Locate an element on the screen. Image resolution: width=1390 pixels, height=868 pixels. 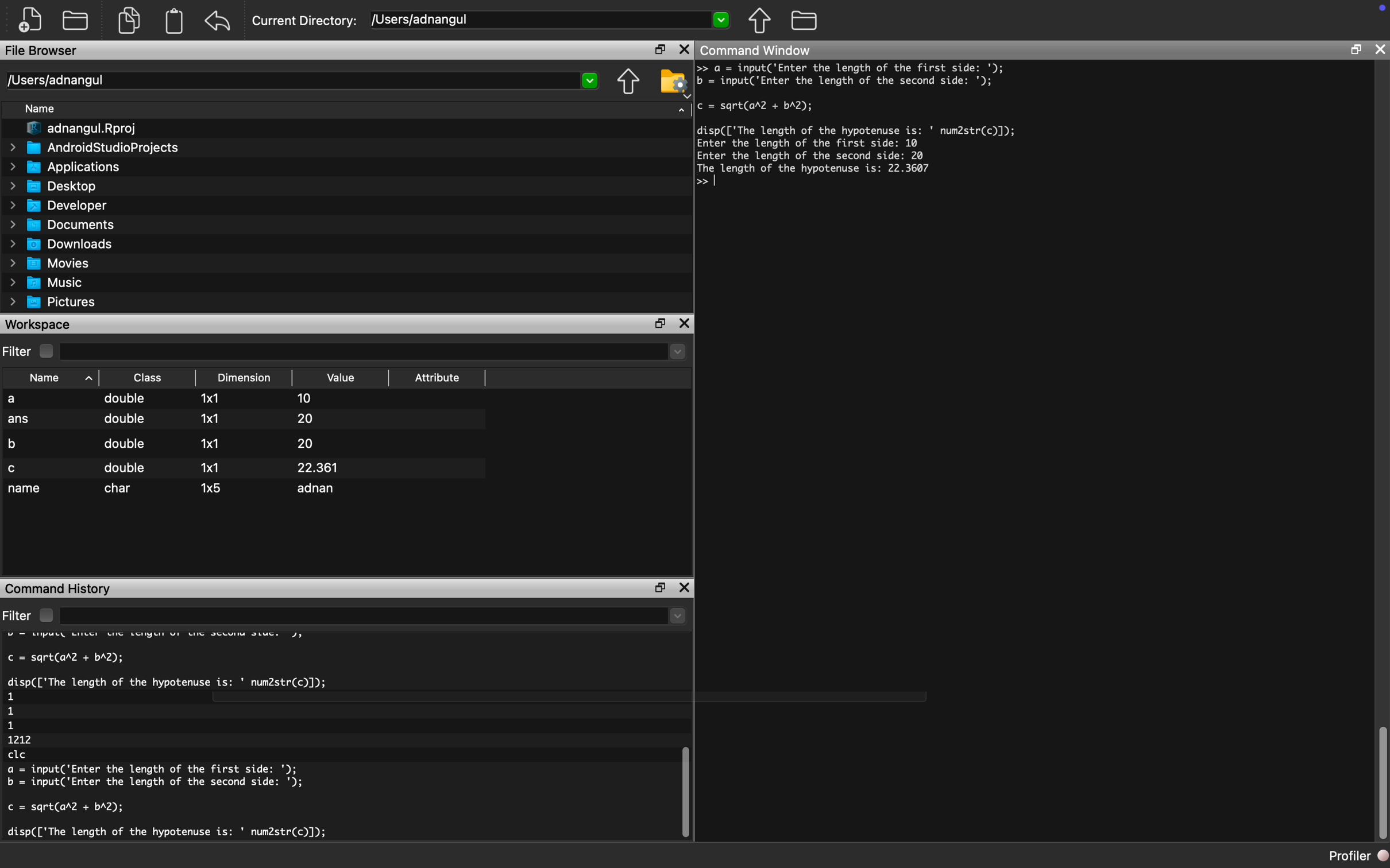
restore down is located at coordinates (655, 51).